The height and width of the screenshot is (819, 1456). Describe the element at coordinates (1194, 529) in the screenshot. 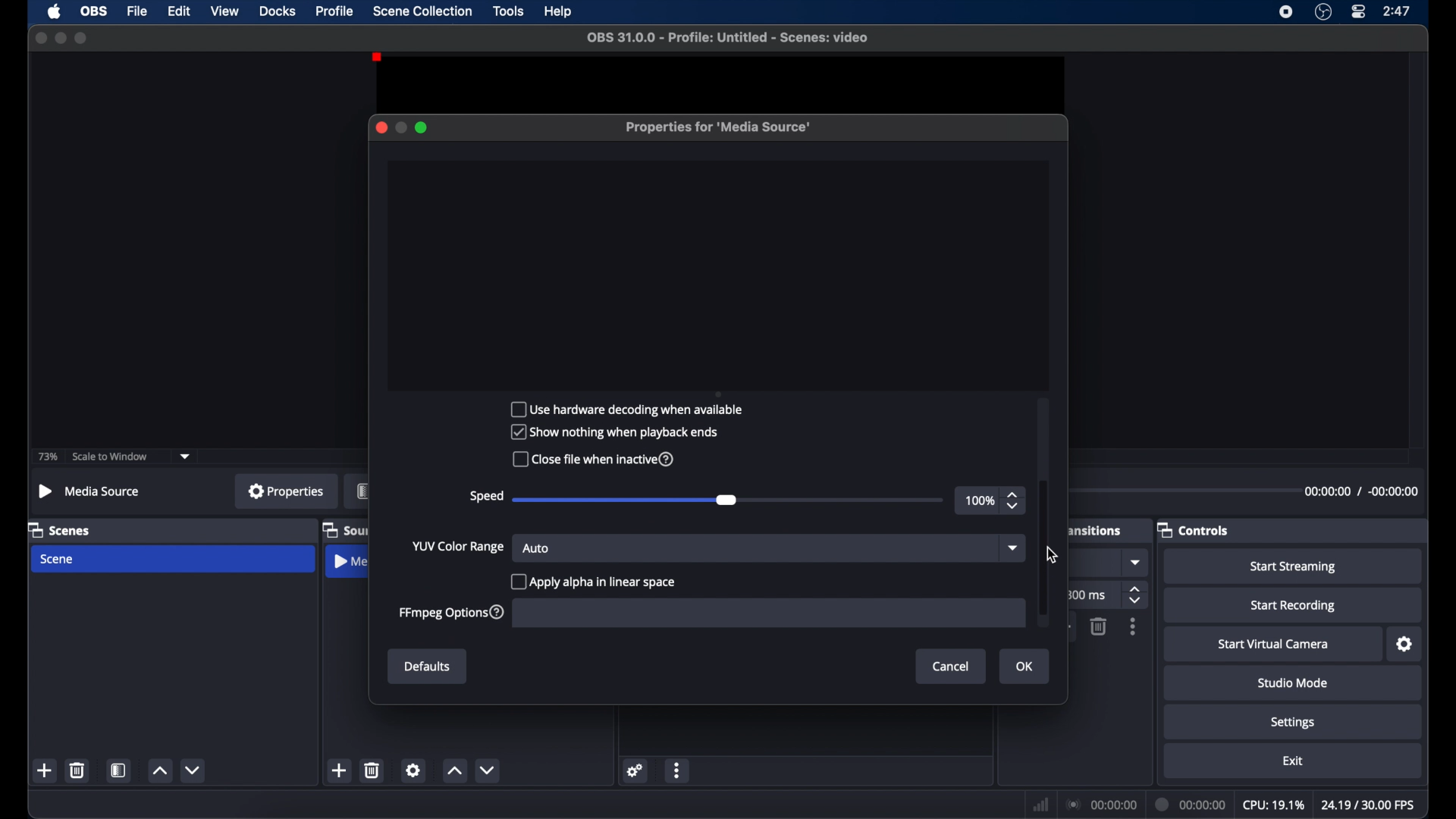

I see `controls` at that location.